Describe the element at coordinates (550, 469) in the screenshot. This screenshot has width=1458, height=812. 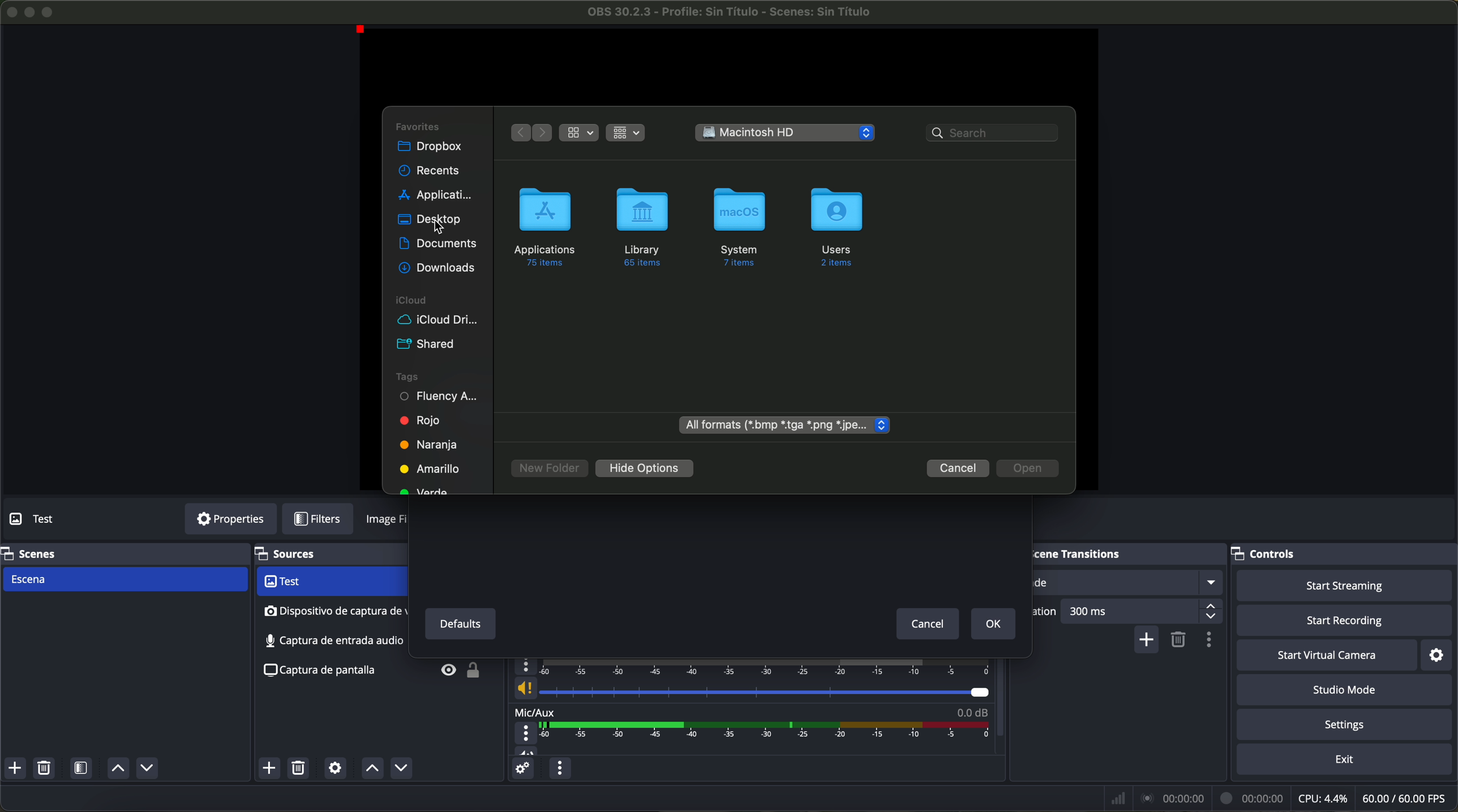
I see `new folder` at that location.